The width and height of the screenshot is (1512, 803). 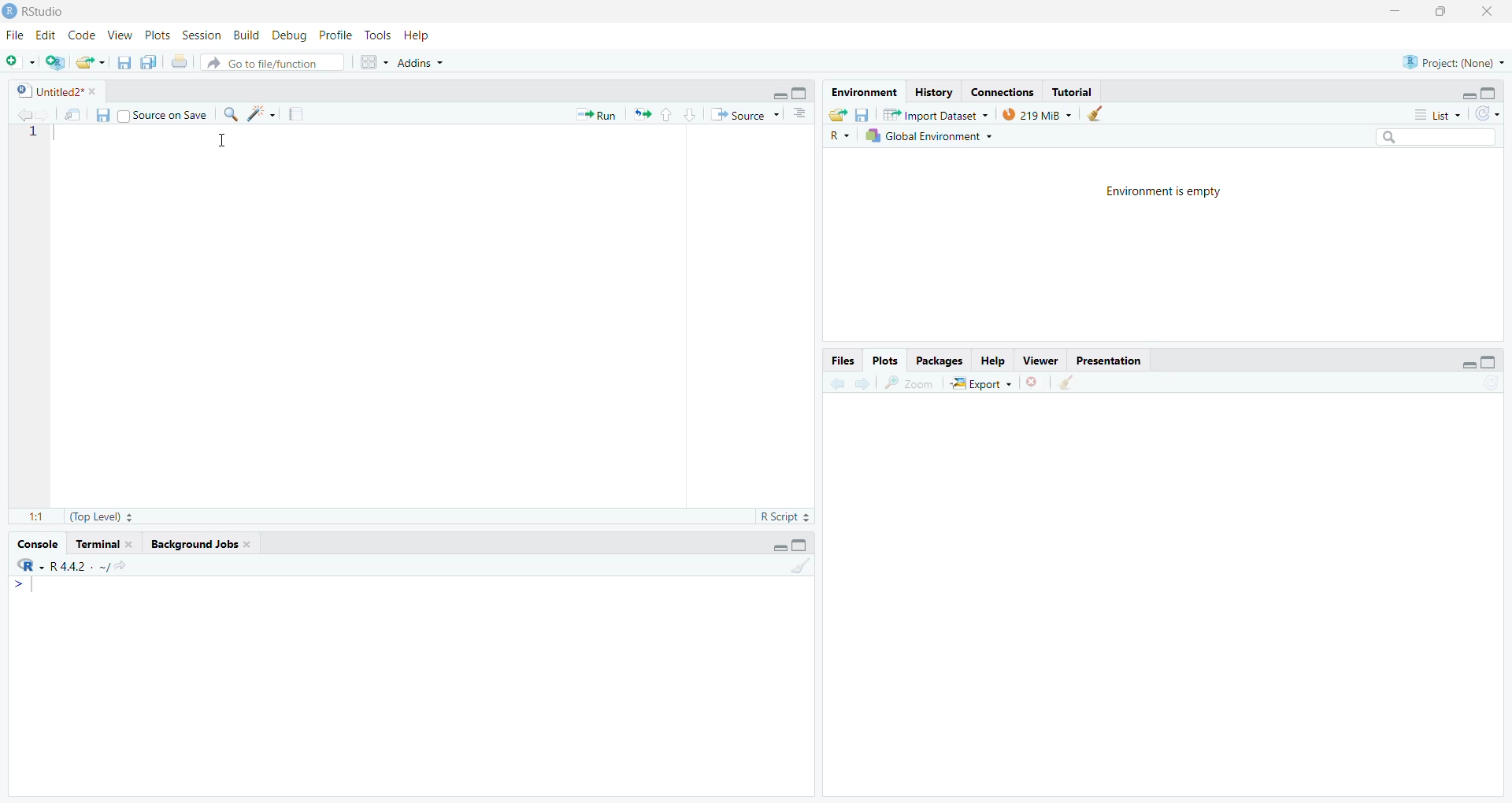 I want to click on Search, so click(x=1437, y=138).